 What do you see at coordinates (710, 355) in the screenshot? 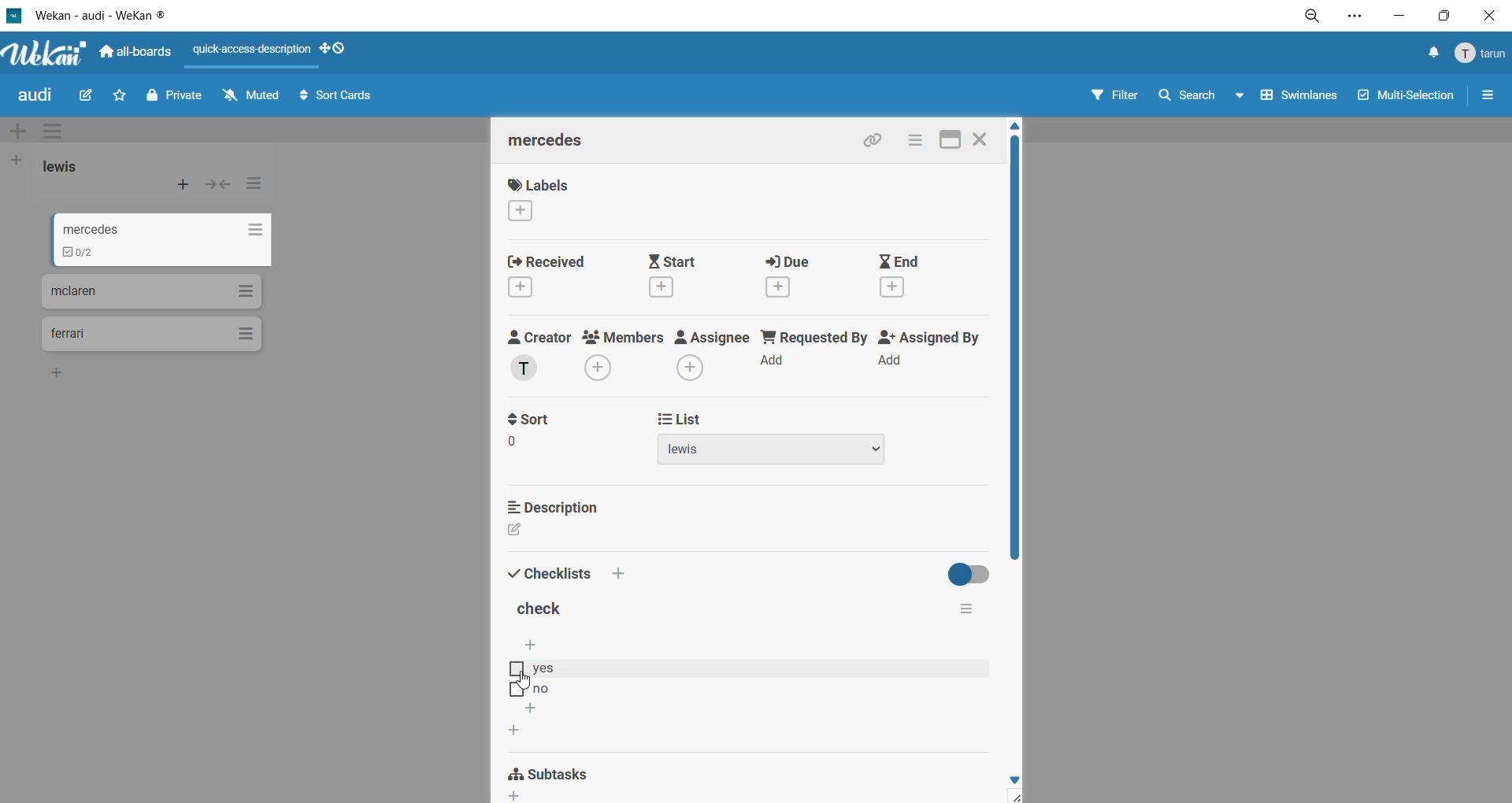
I see `assignee` at bounding box center [710, 355].